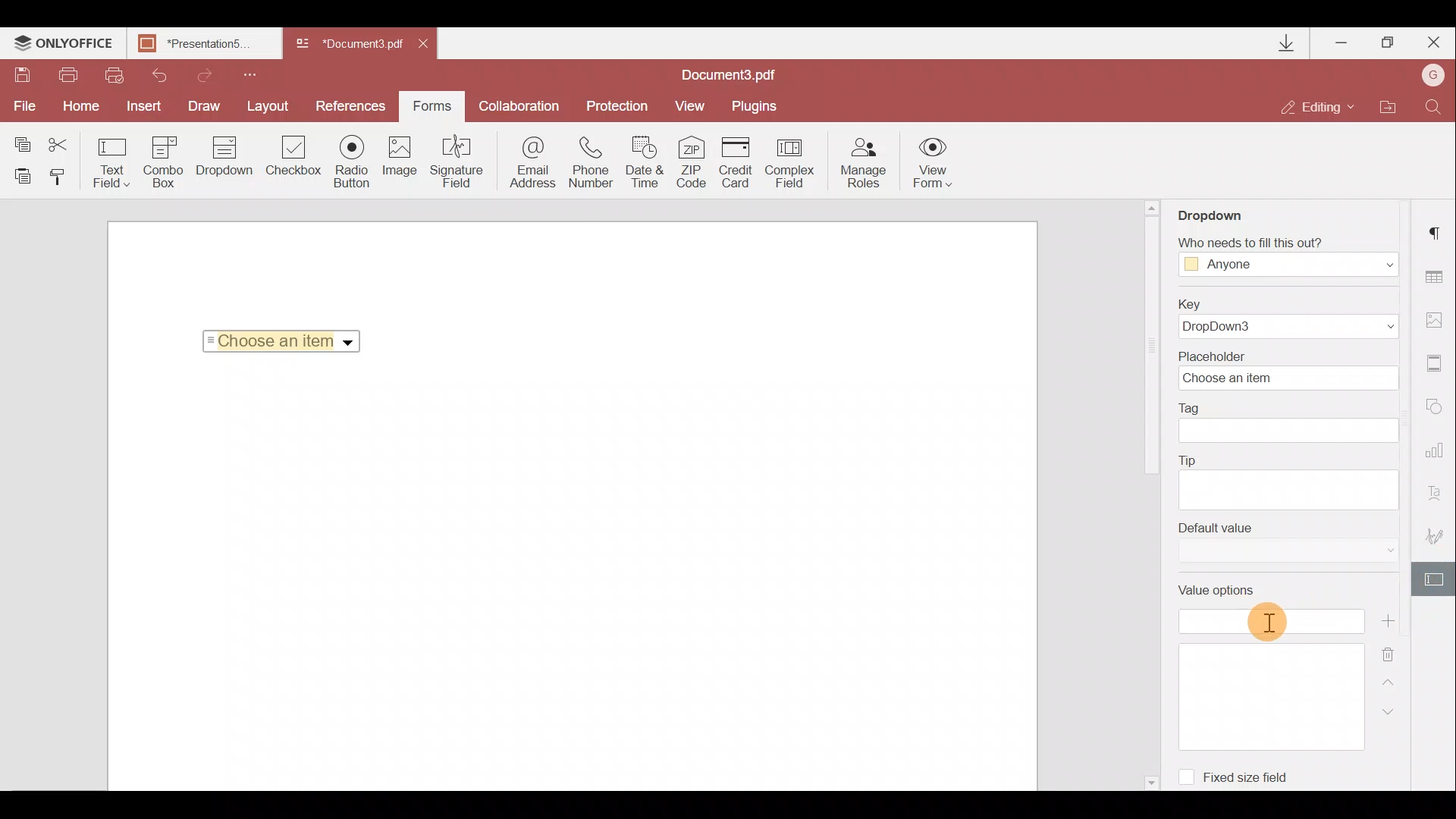 Image resolution: width=1456 pixels, height=819 pixels. What do you see at coordinates (1434, 578) in the screenshot?
I see `Form settings` at bounding box center [1434, 578].